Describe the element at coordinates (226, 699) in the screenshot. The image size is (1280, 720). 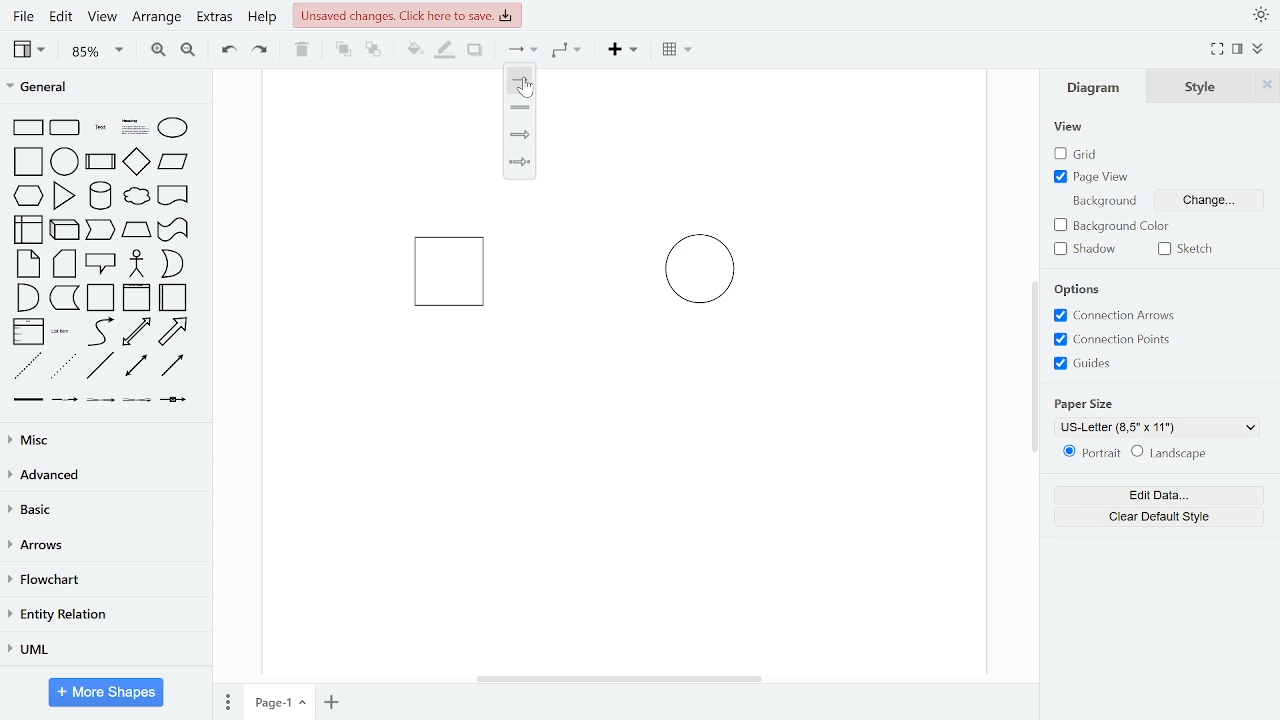
I see `pages` at that location.